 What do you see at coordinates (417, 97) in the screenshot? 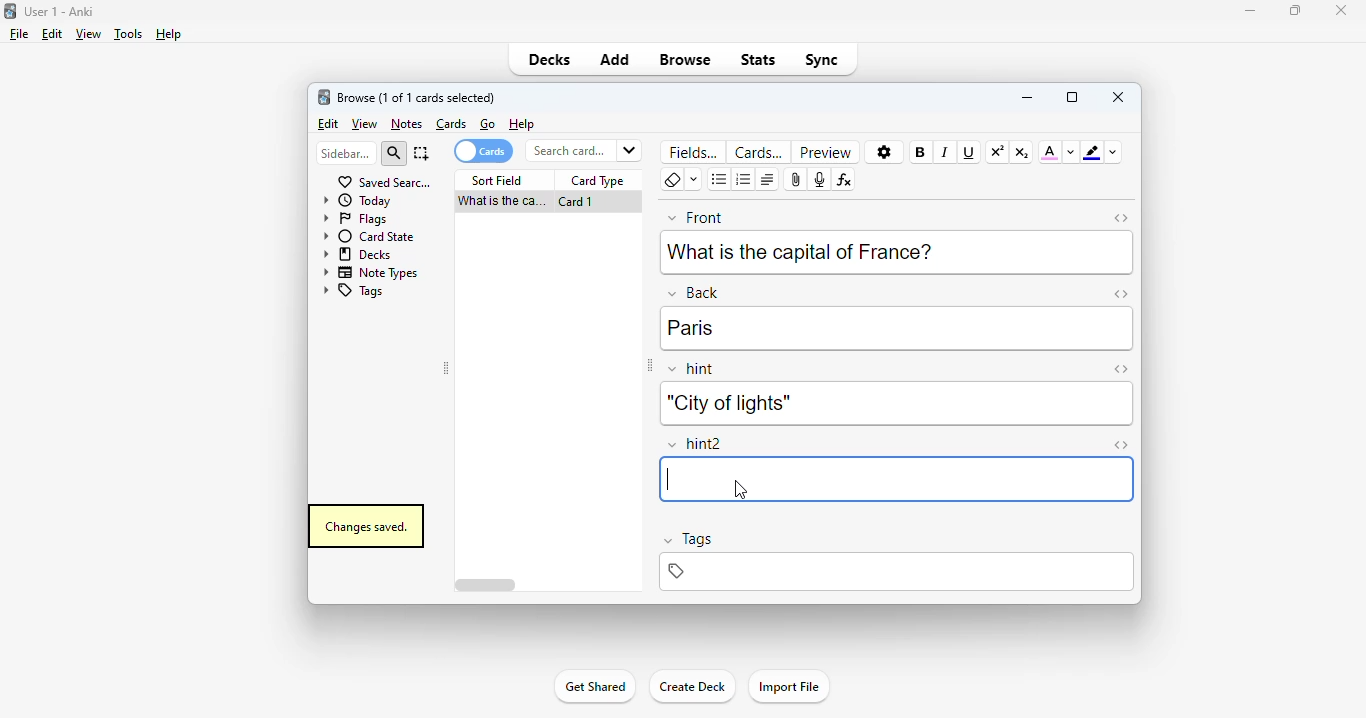
I see `browse (1 of 1 cards selected)` at bounding box center [417, 97].